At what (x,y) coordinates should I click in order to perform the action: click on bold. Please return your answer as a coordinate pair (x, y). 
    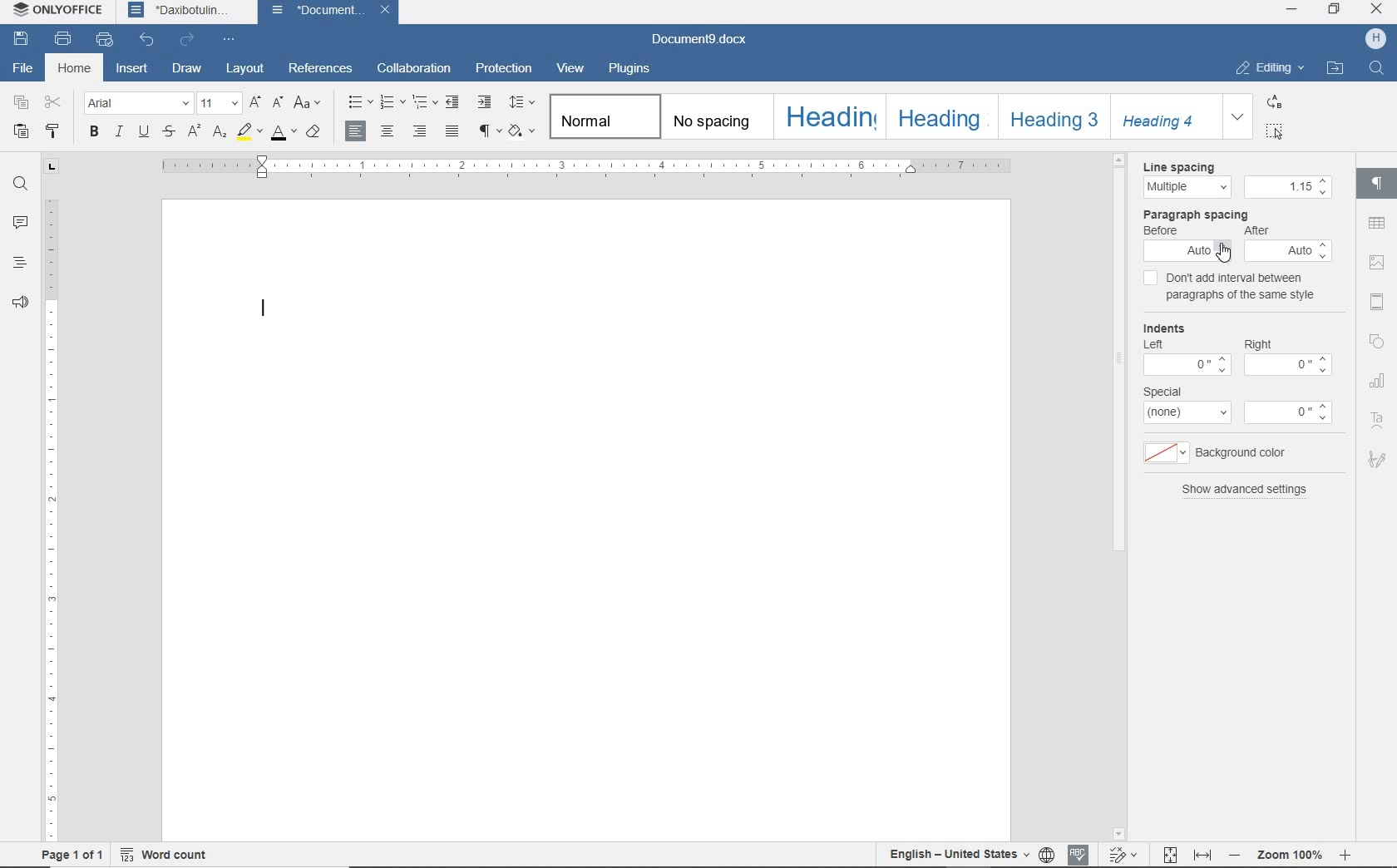
    Looking at the image, I should click on (93, 133).